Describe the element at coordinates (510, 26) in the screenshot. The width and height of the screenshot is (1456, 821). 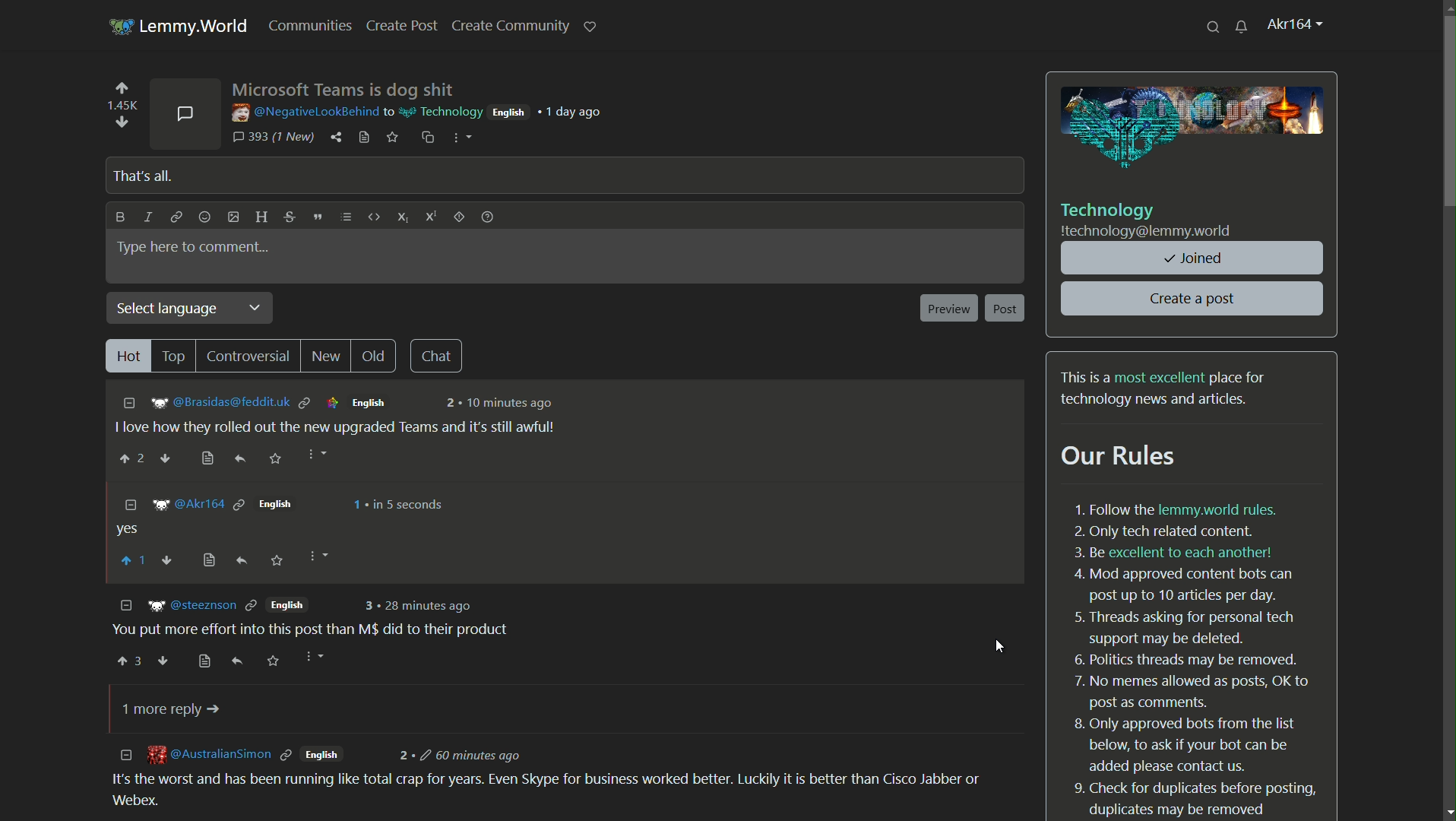
I see `create community` at that location.